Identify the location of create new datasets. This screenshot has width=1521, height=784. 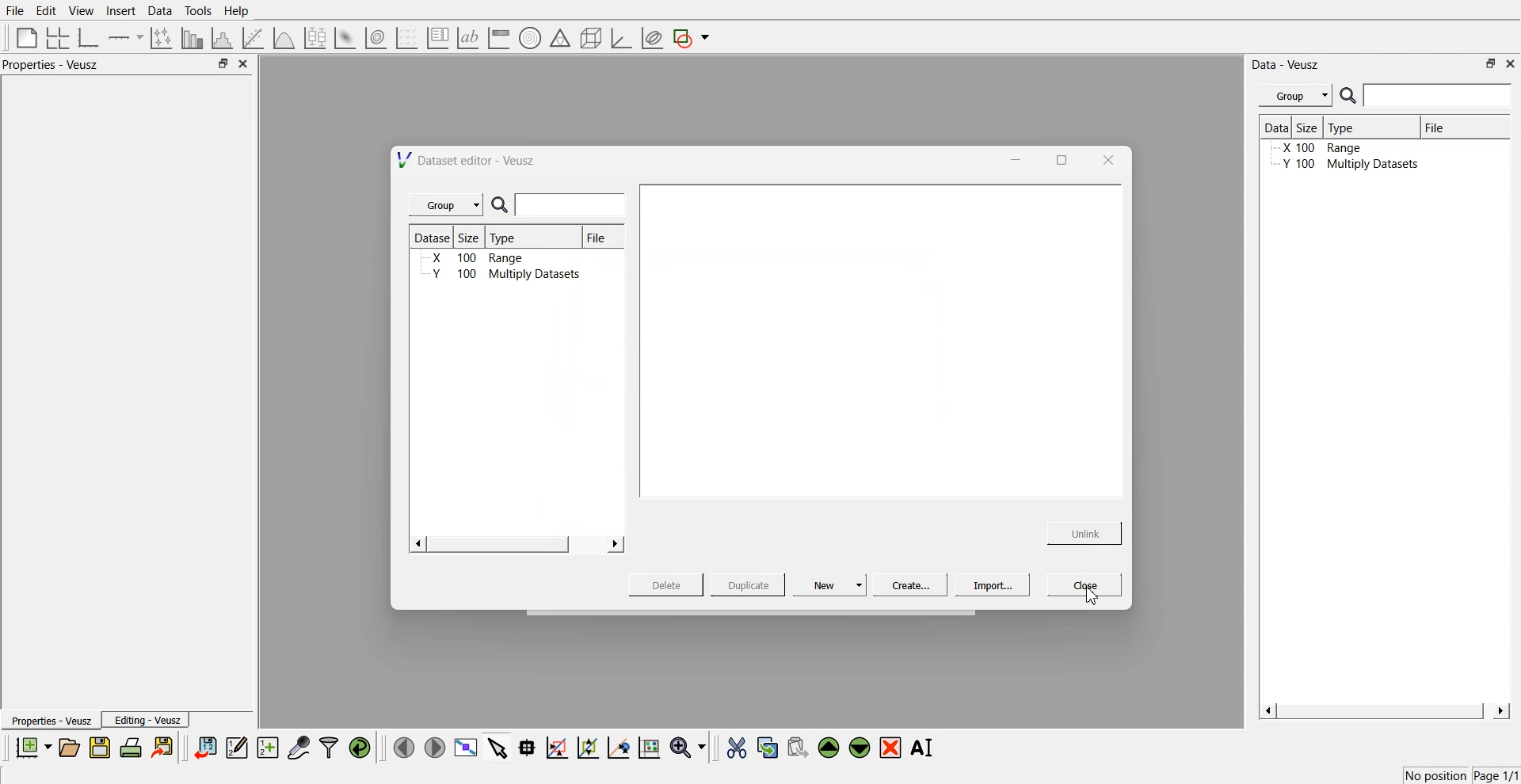
(268, 748).